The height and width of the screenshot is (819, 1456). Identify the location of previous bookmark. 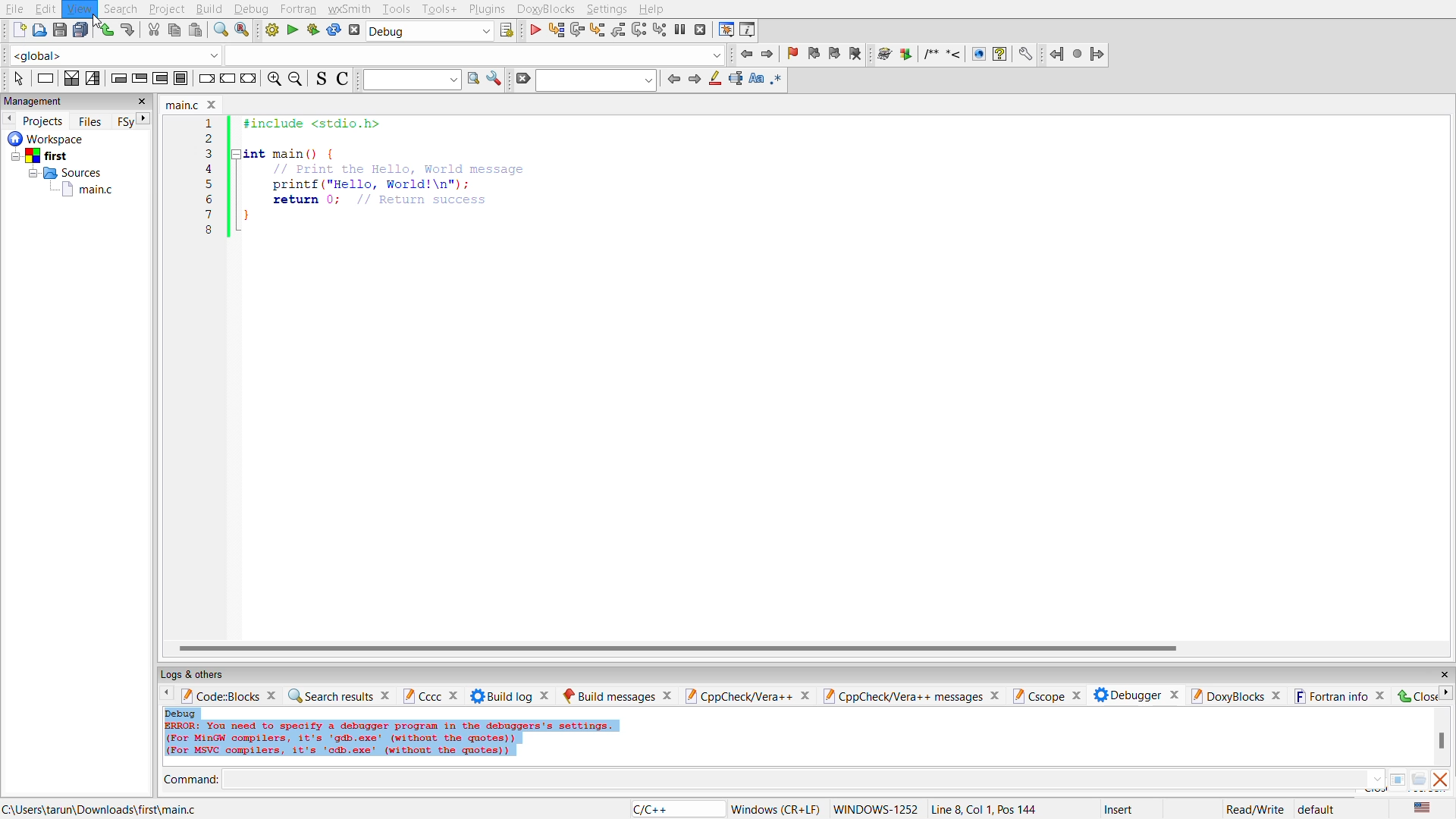
(814, 54).